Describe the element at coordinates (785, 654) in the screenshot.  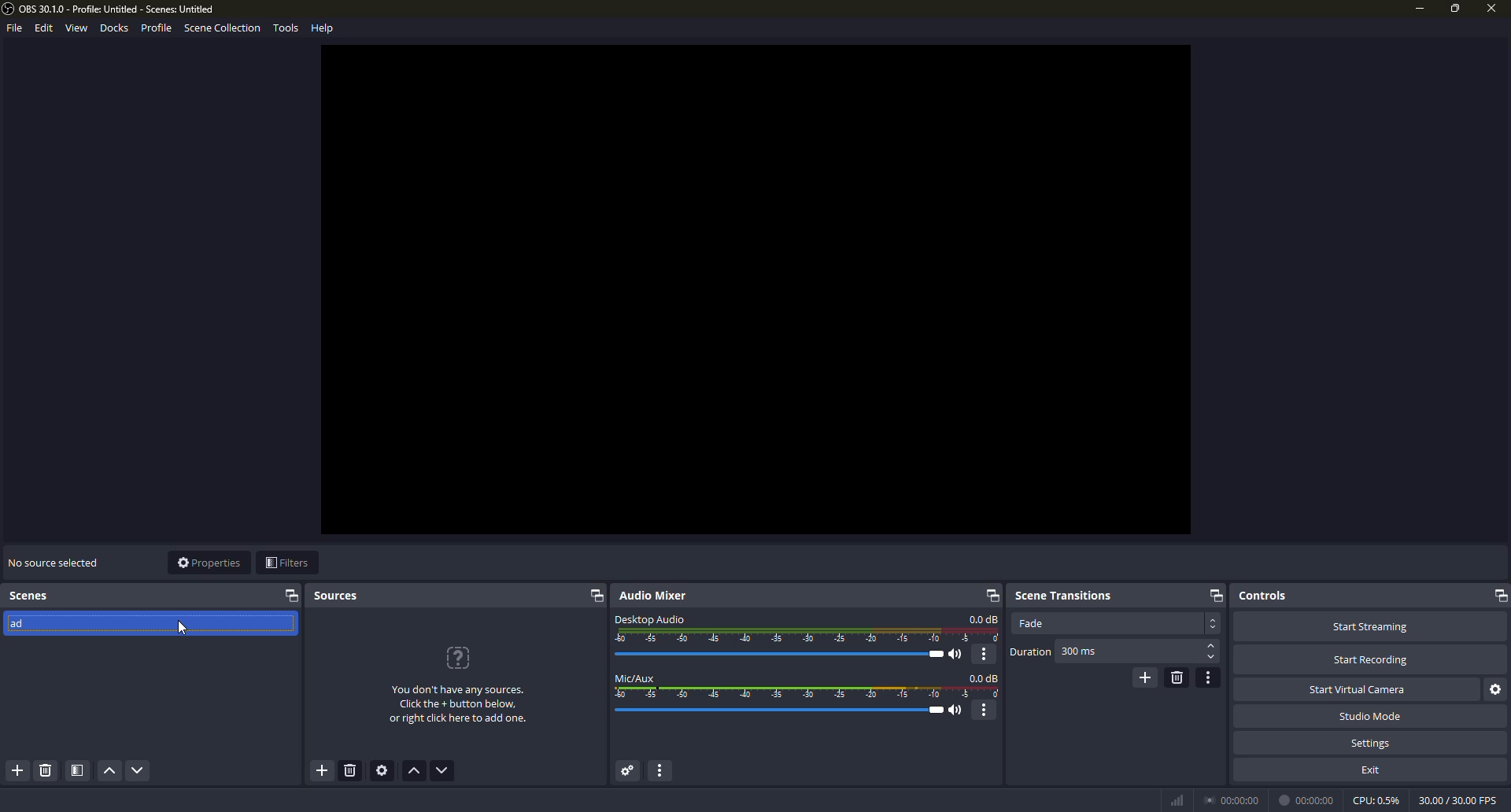
I see `volume` at that location.